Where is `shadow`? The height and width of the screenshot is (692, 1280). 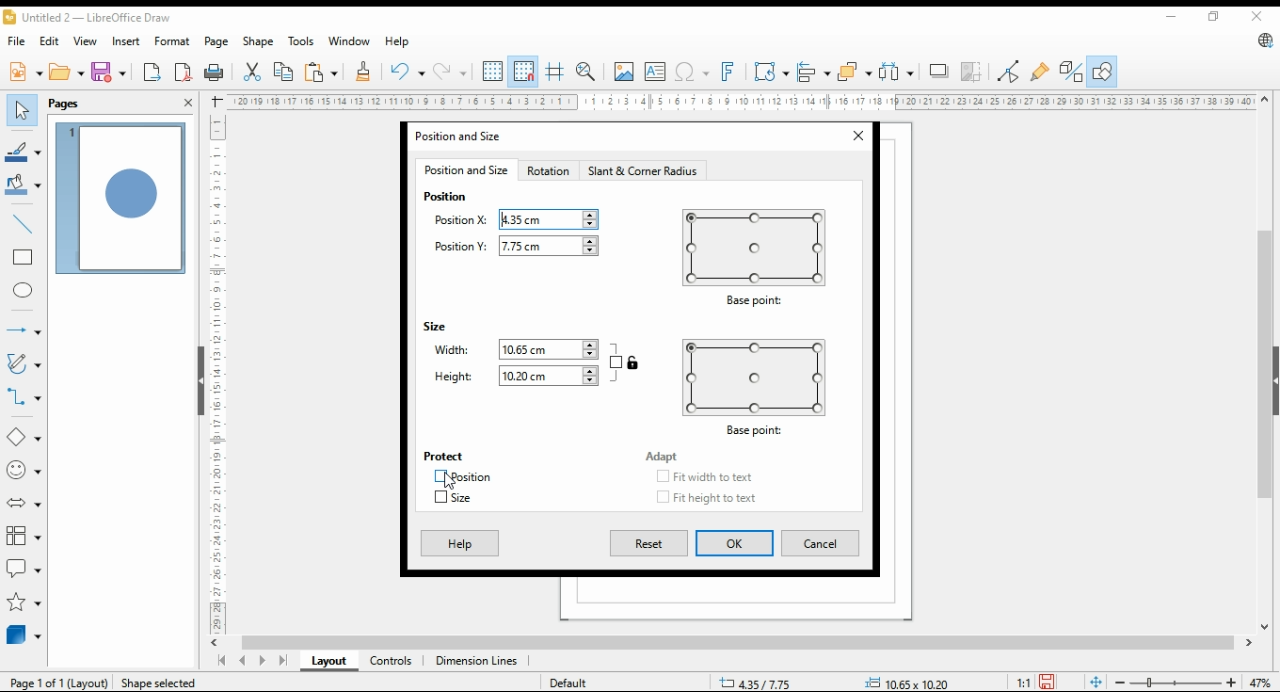
shadow is located at coordinates (936, 71).